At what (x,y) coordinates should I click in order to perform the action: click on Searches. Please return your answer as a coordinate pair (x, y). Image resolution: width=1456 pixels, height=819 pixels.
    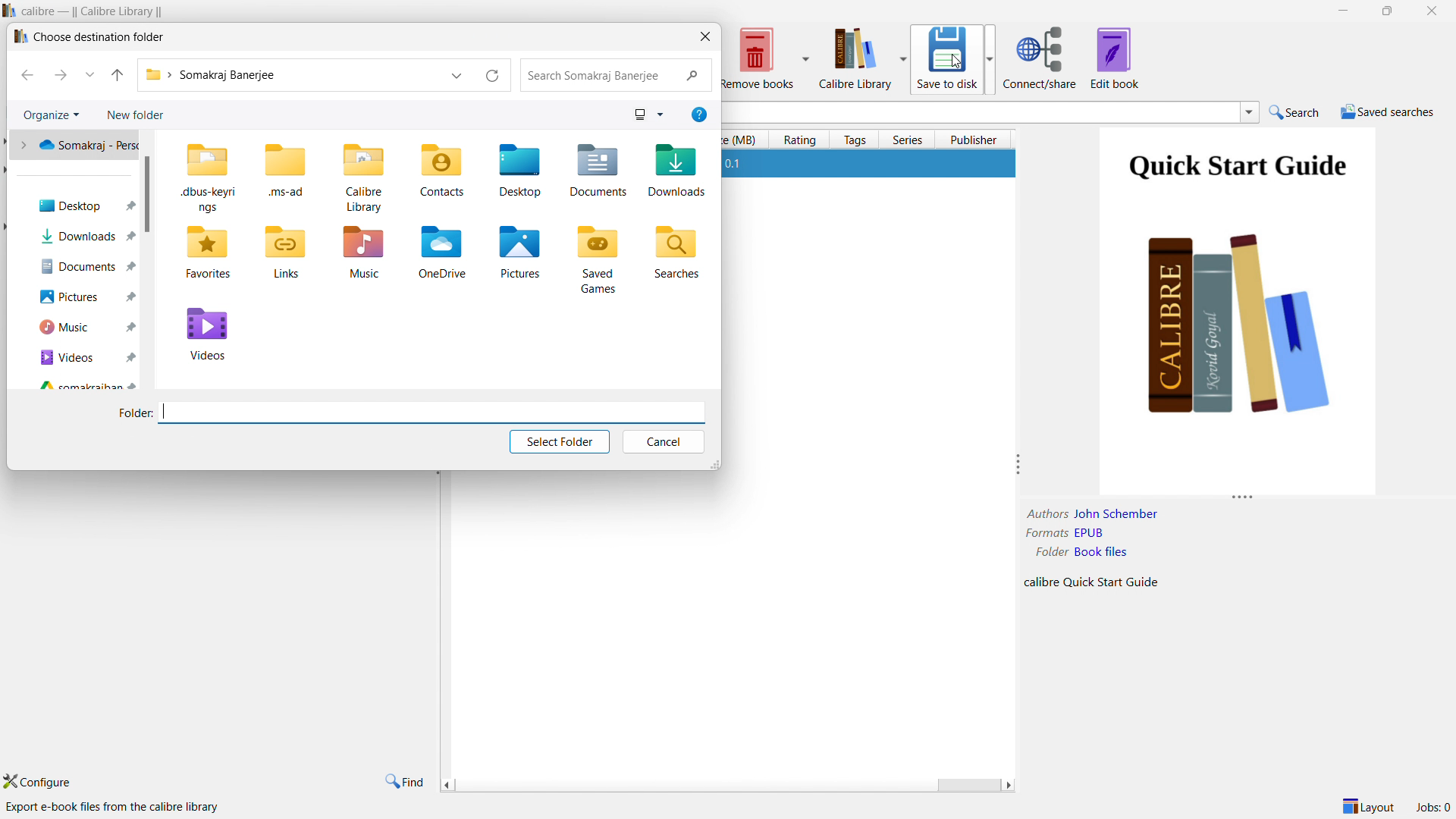
    Looking at the image, I should click on (677, 254).